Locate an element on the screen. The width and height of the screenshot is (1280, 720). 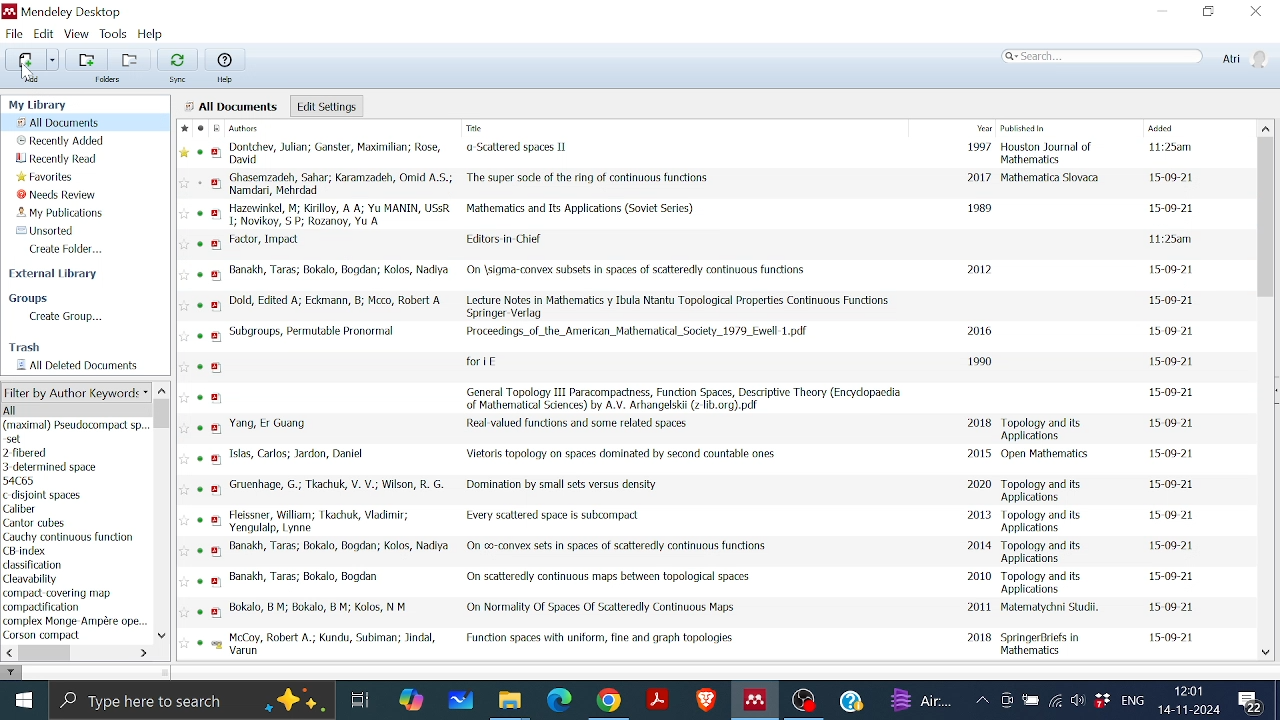
pdf is located at coordinates (218, 645).